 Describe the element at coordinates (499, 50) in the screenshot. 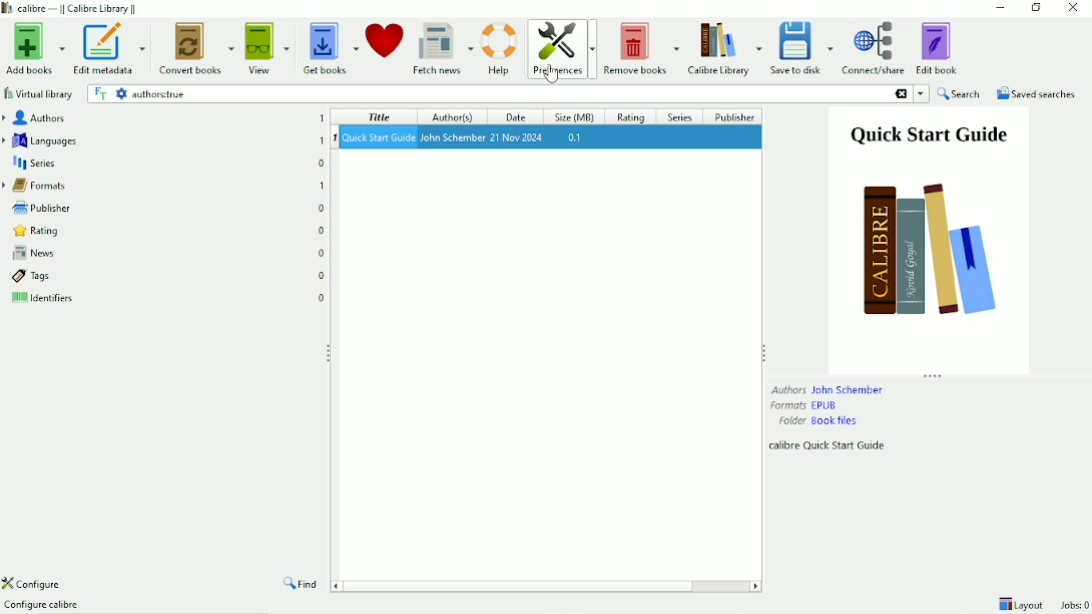

I see `Help` at that location.